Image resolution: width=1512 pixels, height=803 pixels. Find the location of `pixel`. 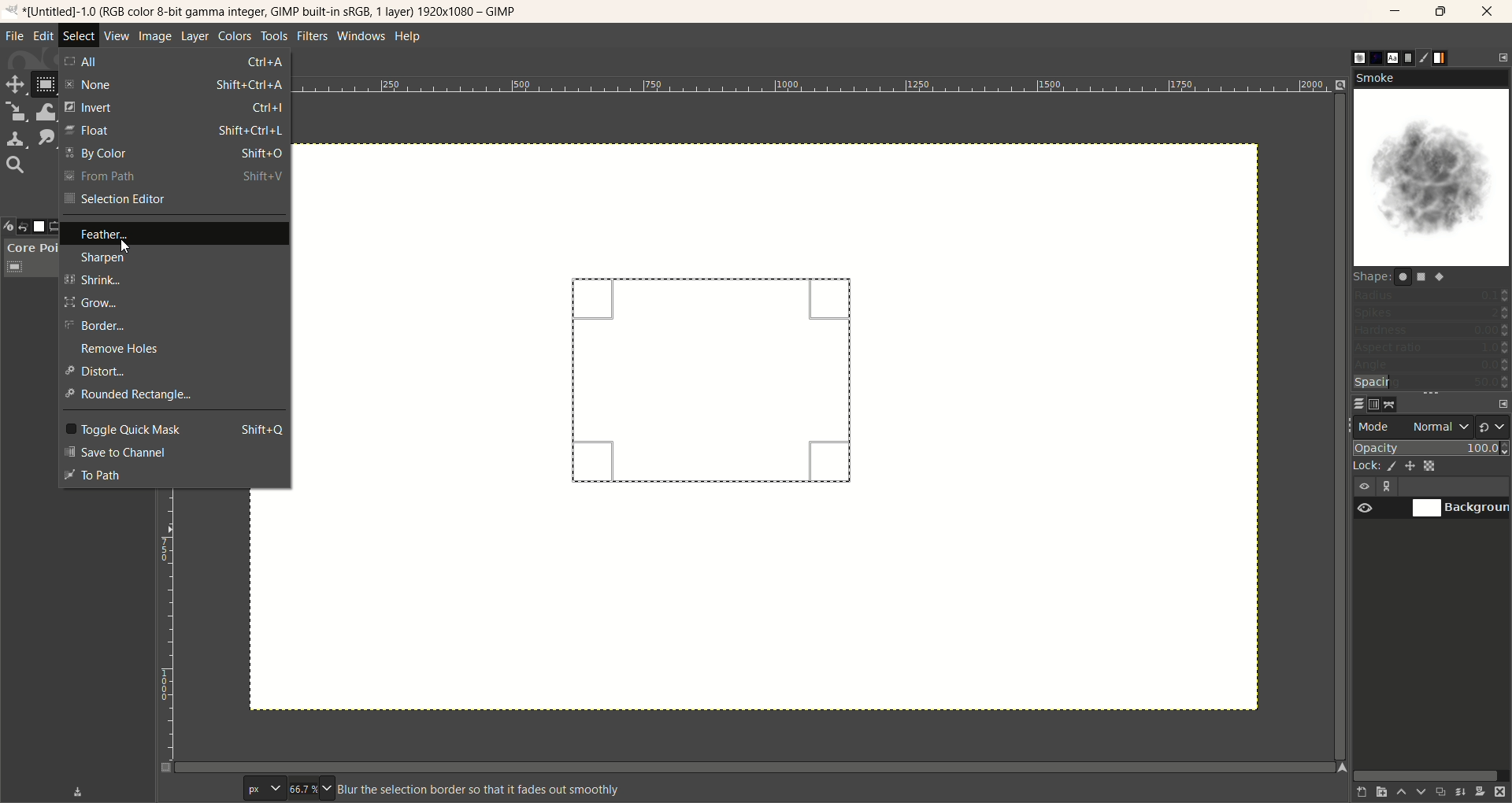

pixel is located at coordinates (265, 789).